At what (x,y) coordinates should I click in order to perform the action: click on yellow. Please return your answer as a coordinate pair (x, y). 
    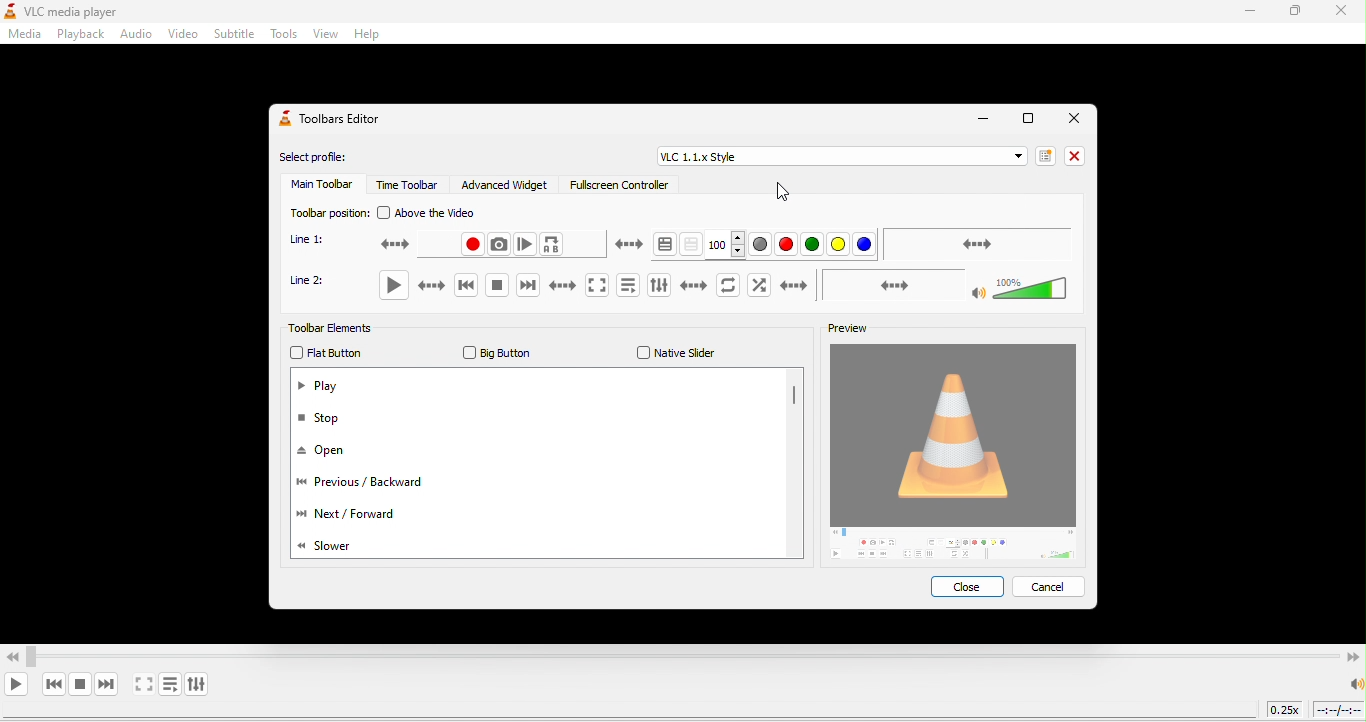
    Looking at the image, I should click on (842, 245).